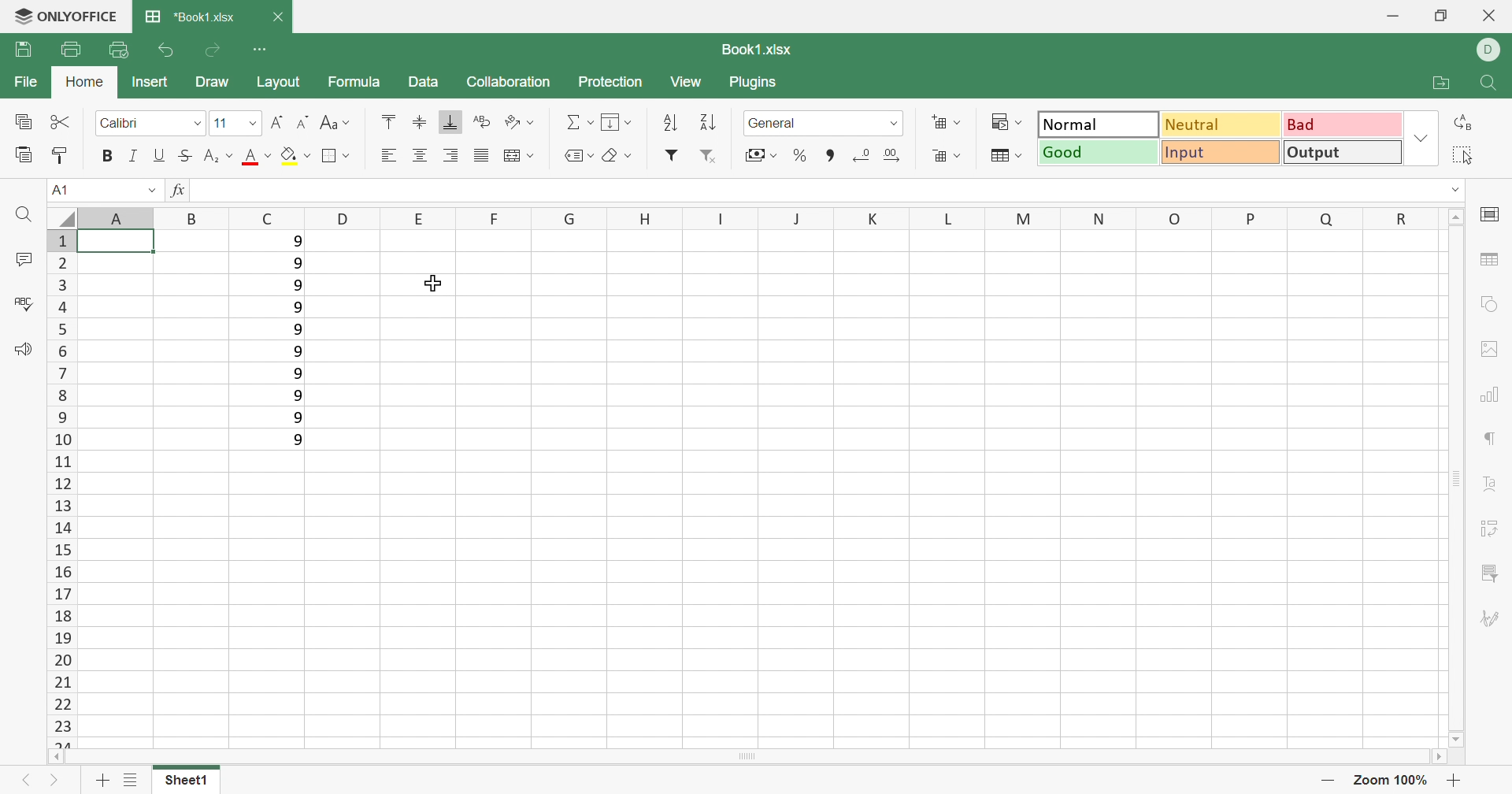  Describe the element at coordinates (518, 120) in the screenshot. I see `Orientation` at that location.